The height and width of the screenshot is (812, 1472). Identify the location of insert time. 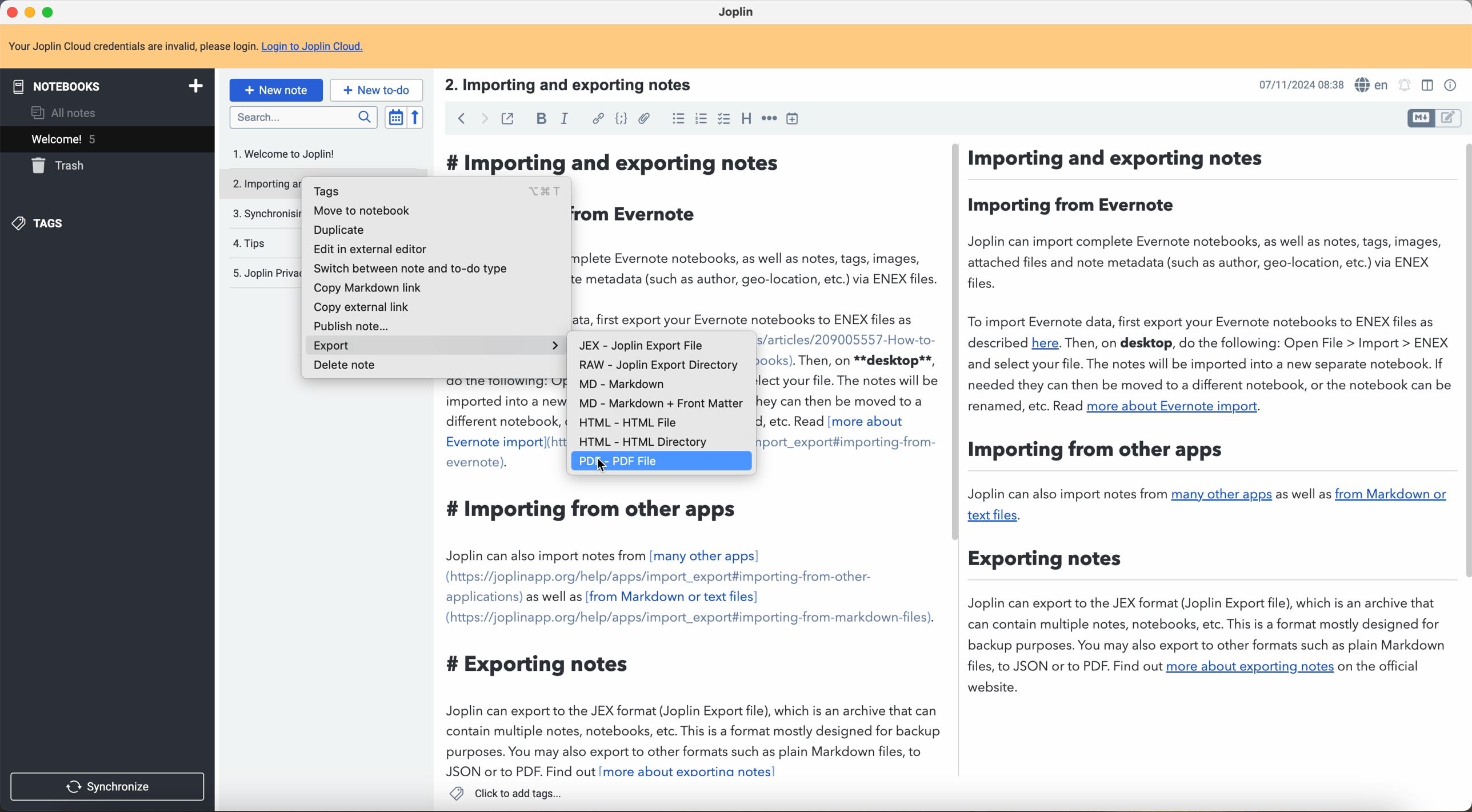
(795, 120).